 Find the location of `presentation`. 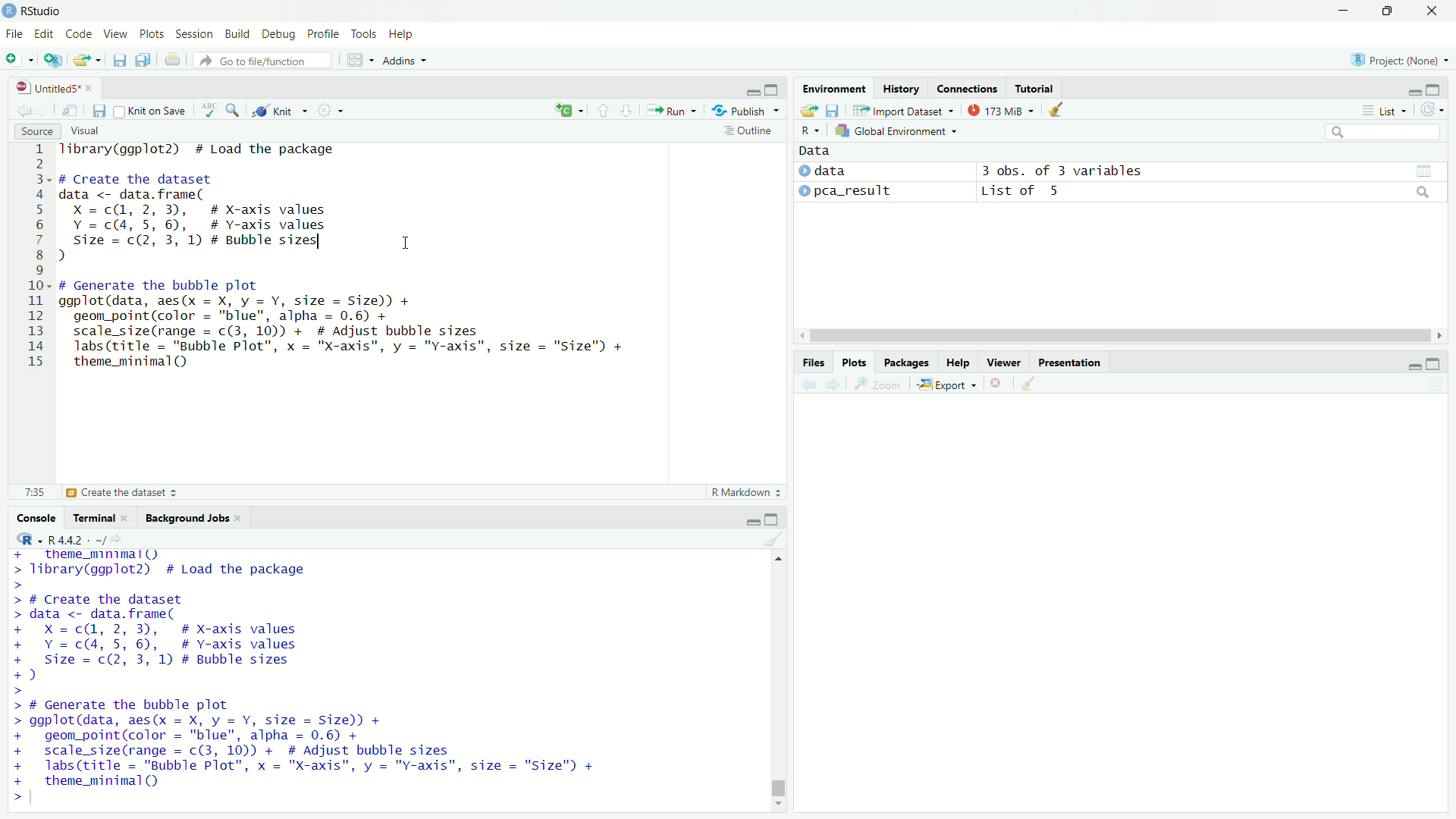

presentation is located at coordinates (1069, 362).